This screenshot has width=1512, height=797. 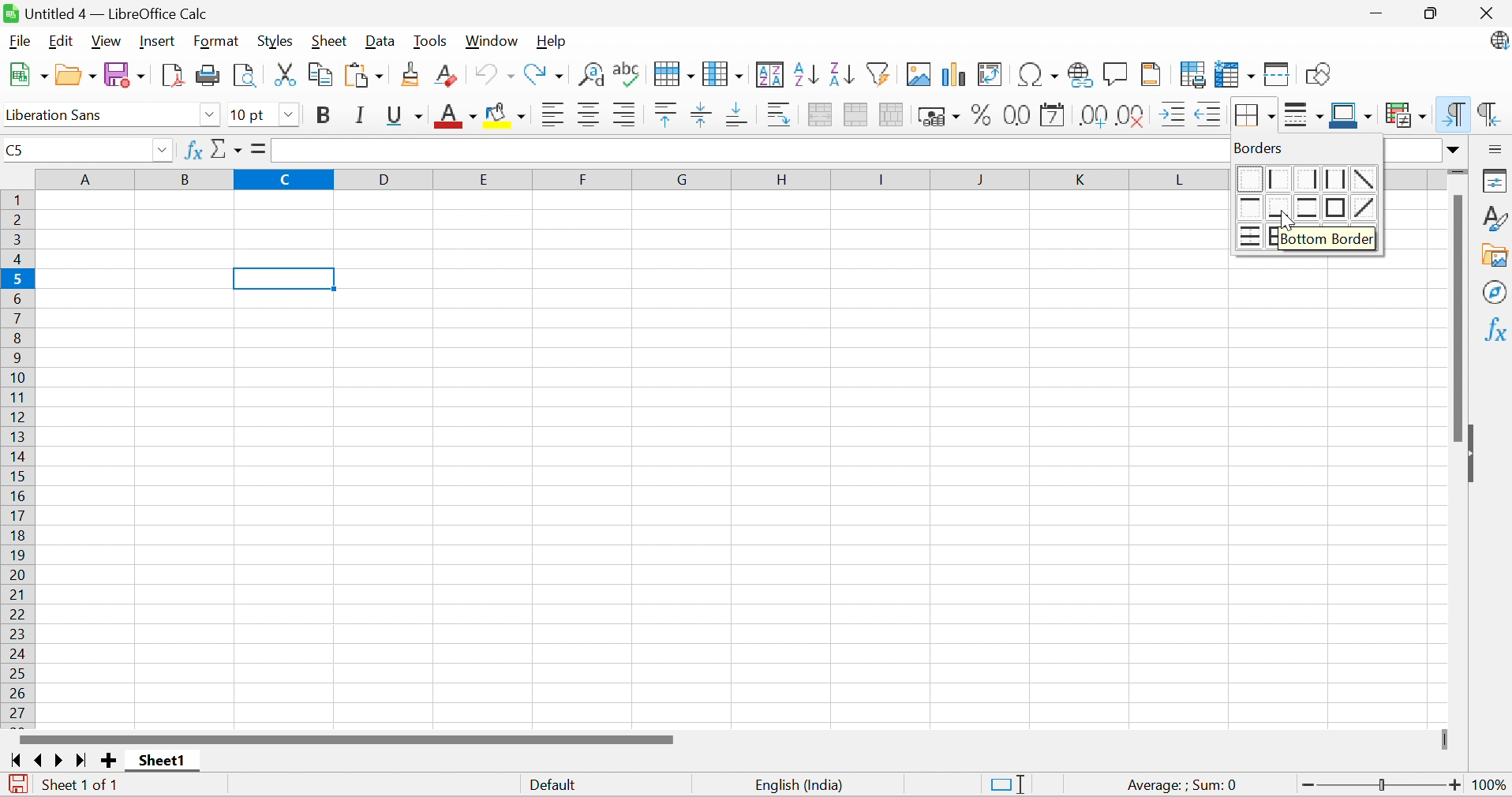 I want to click on Outer border, so click(x=1338, y=208).